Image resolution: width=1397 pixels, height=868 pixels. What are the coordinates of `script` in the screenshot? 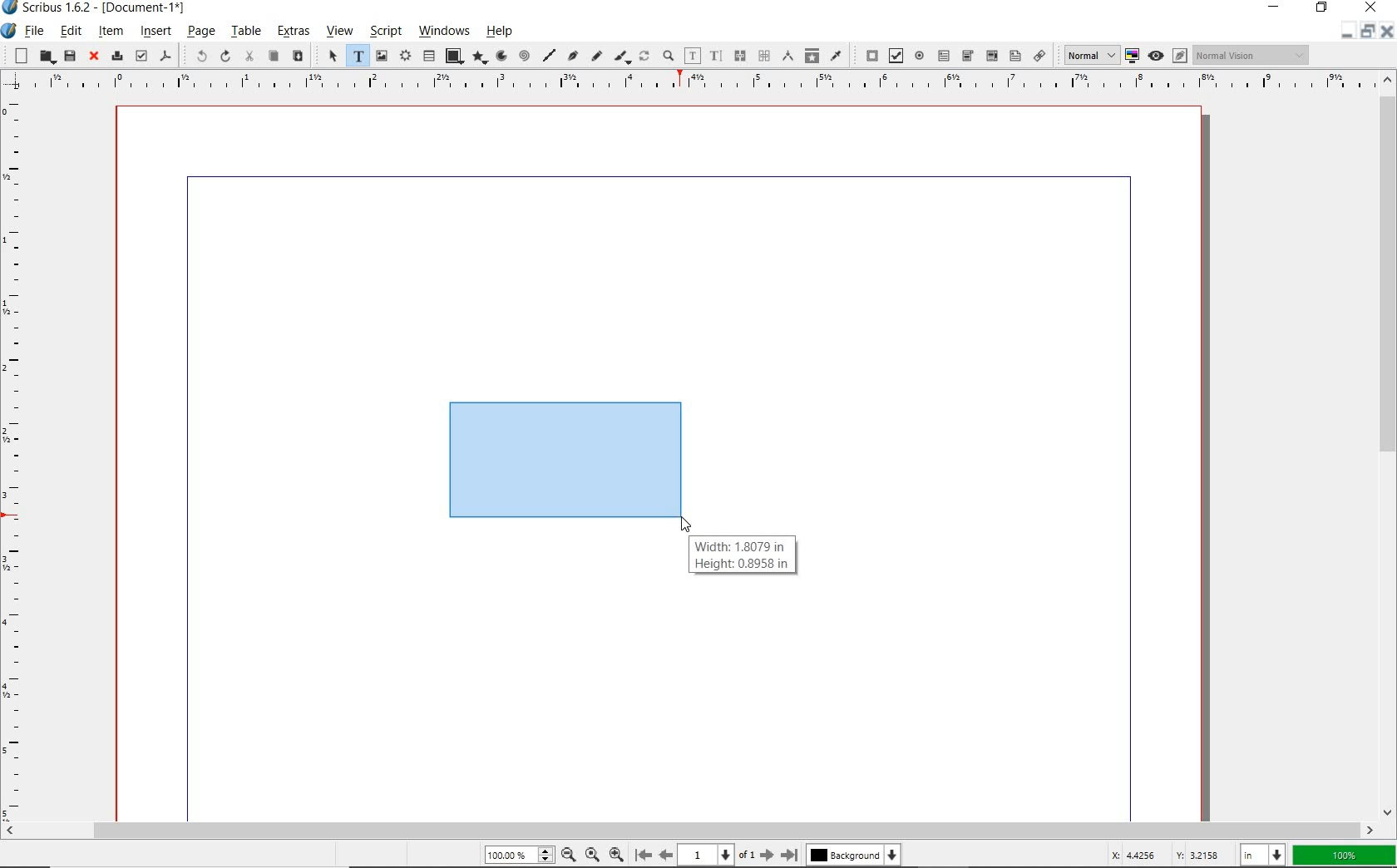 It's located at (385, 30).